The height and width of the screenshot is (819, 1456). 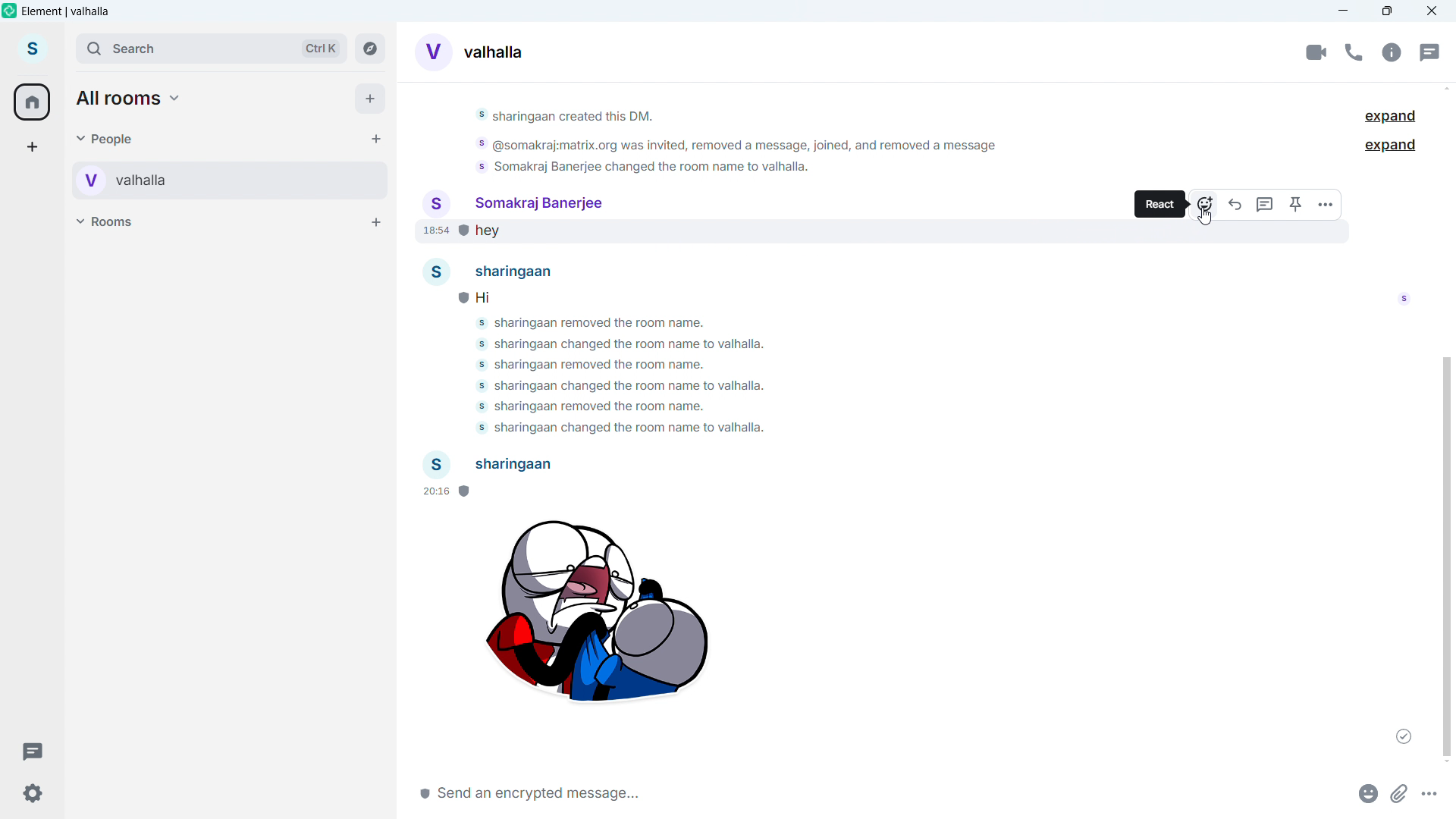 I want to click on Hi, so click(x=501, y=296).